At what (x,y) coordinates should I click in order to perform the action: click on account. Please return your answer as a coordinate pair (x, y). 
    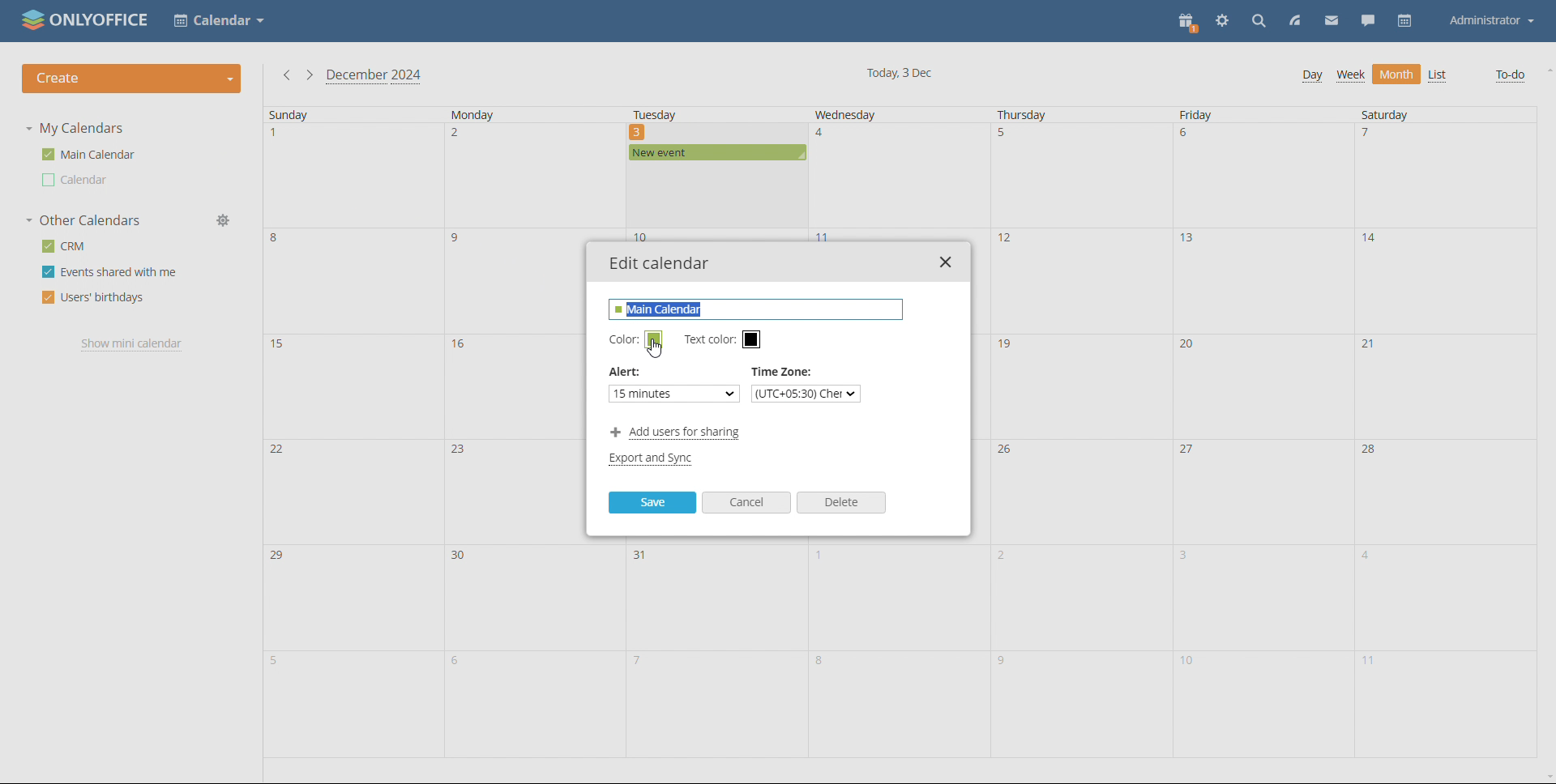
    Looking at the image, I should click on (1491, 21).